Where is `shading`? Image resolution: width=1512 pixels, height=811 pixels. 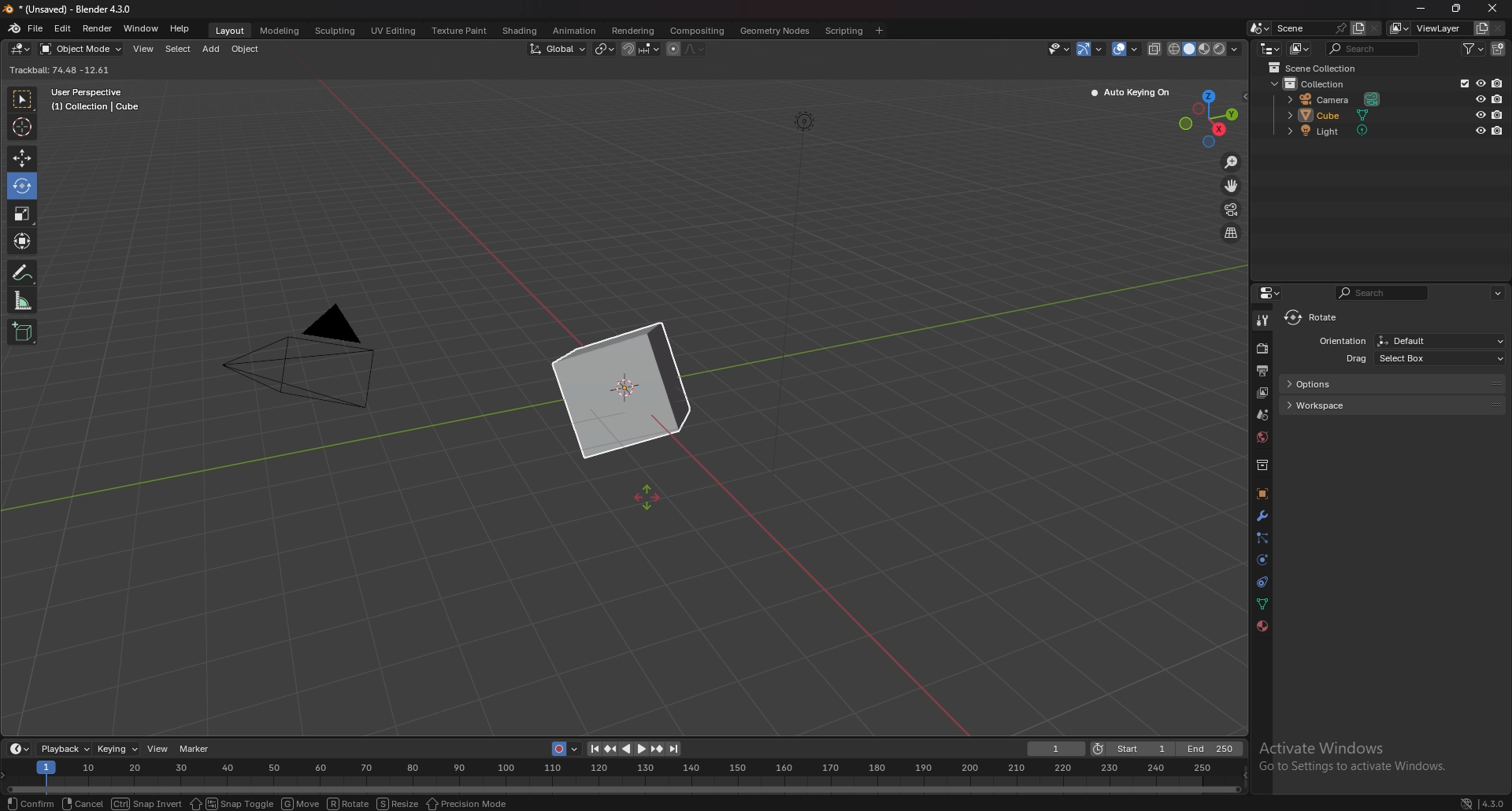 shading is located at coordinates (519, 30).